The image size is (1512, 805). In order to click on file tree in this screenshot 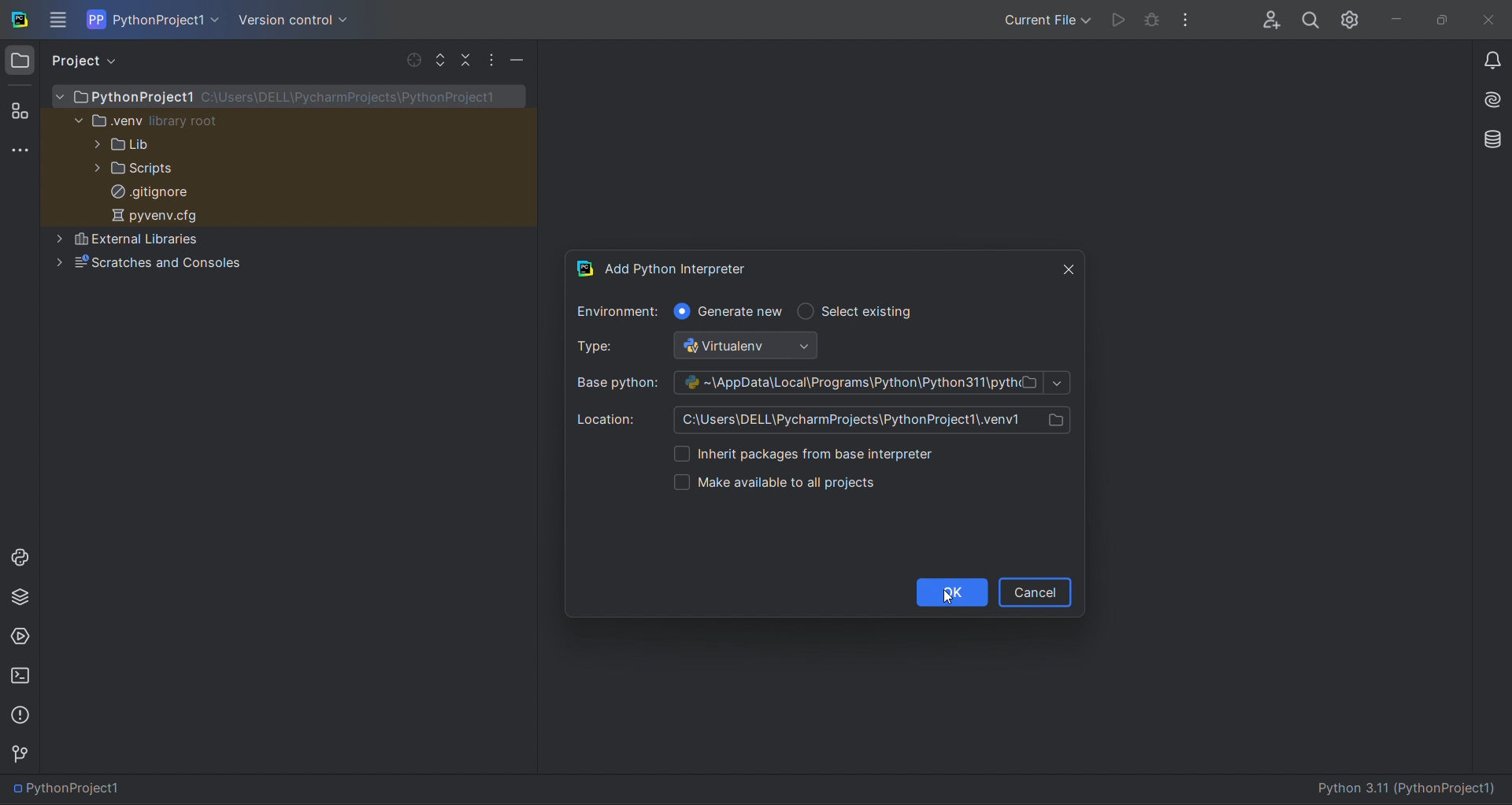, I will do `click(289, 184)`.